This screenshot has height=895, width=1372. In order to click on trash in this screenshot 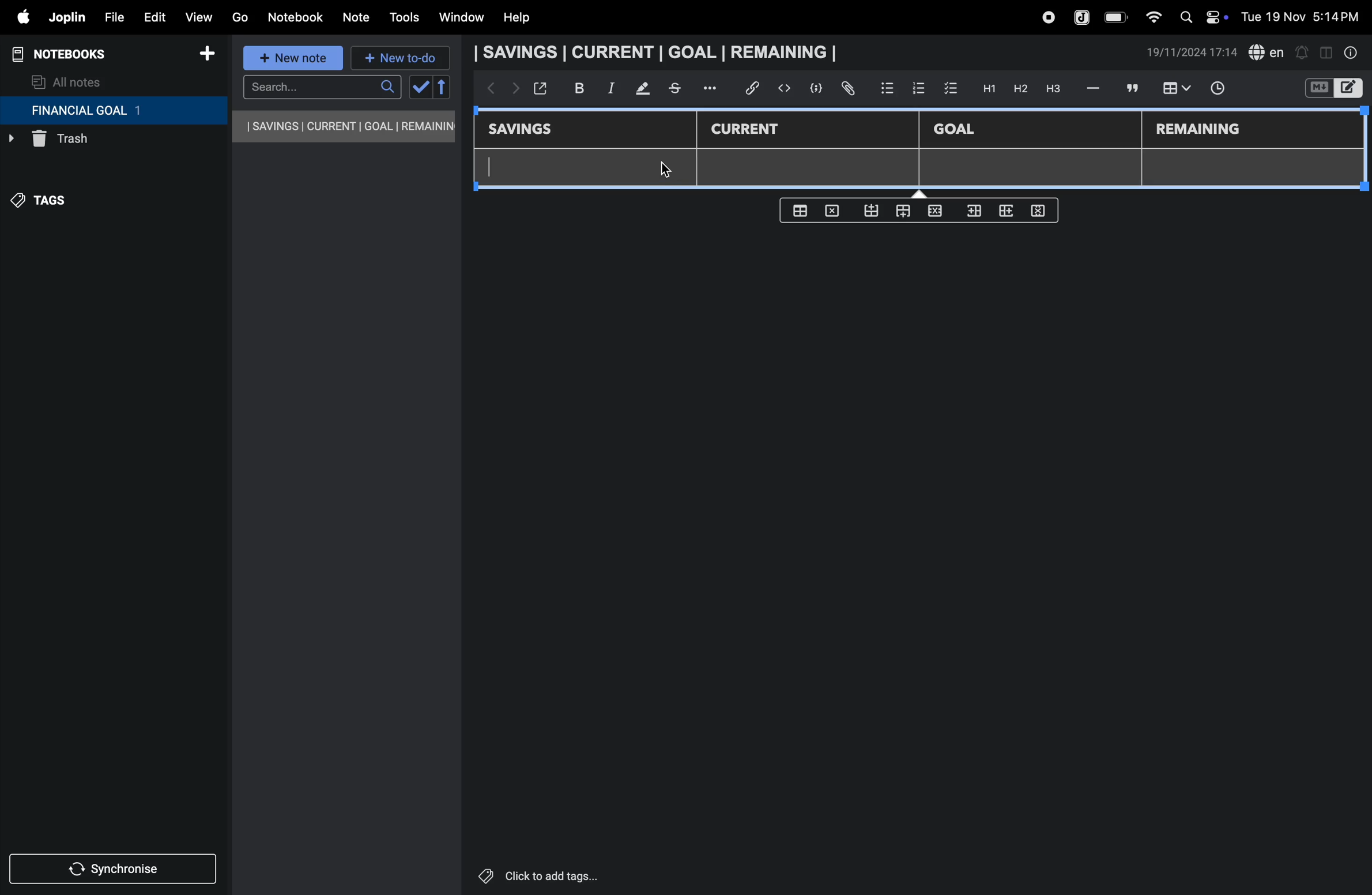, I will do `click(89, 142)`.